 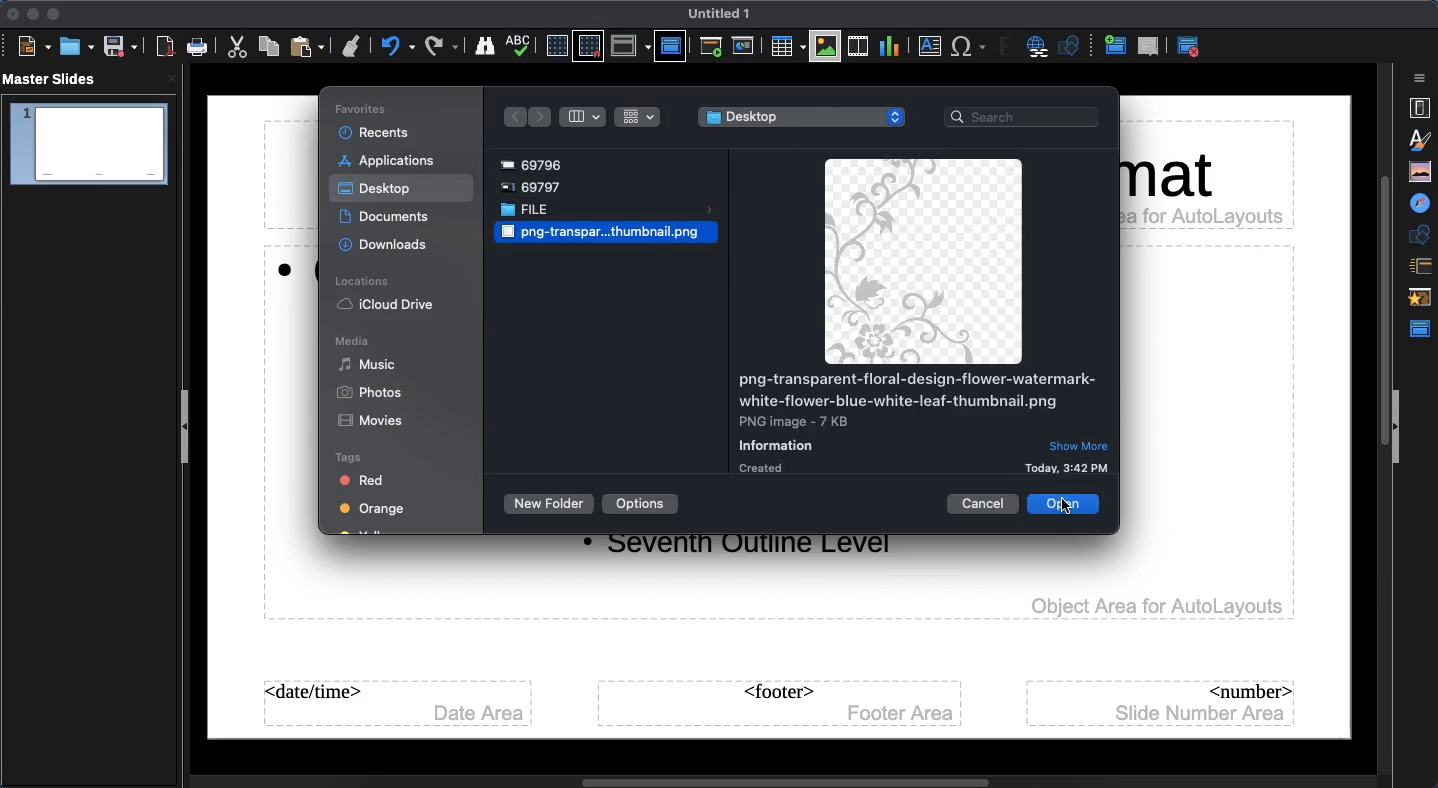 What do you see at coordinates (377, 189) in the screenshot?
I see `Desktop` at bounding box center [377, 189].